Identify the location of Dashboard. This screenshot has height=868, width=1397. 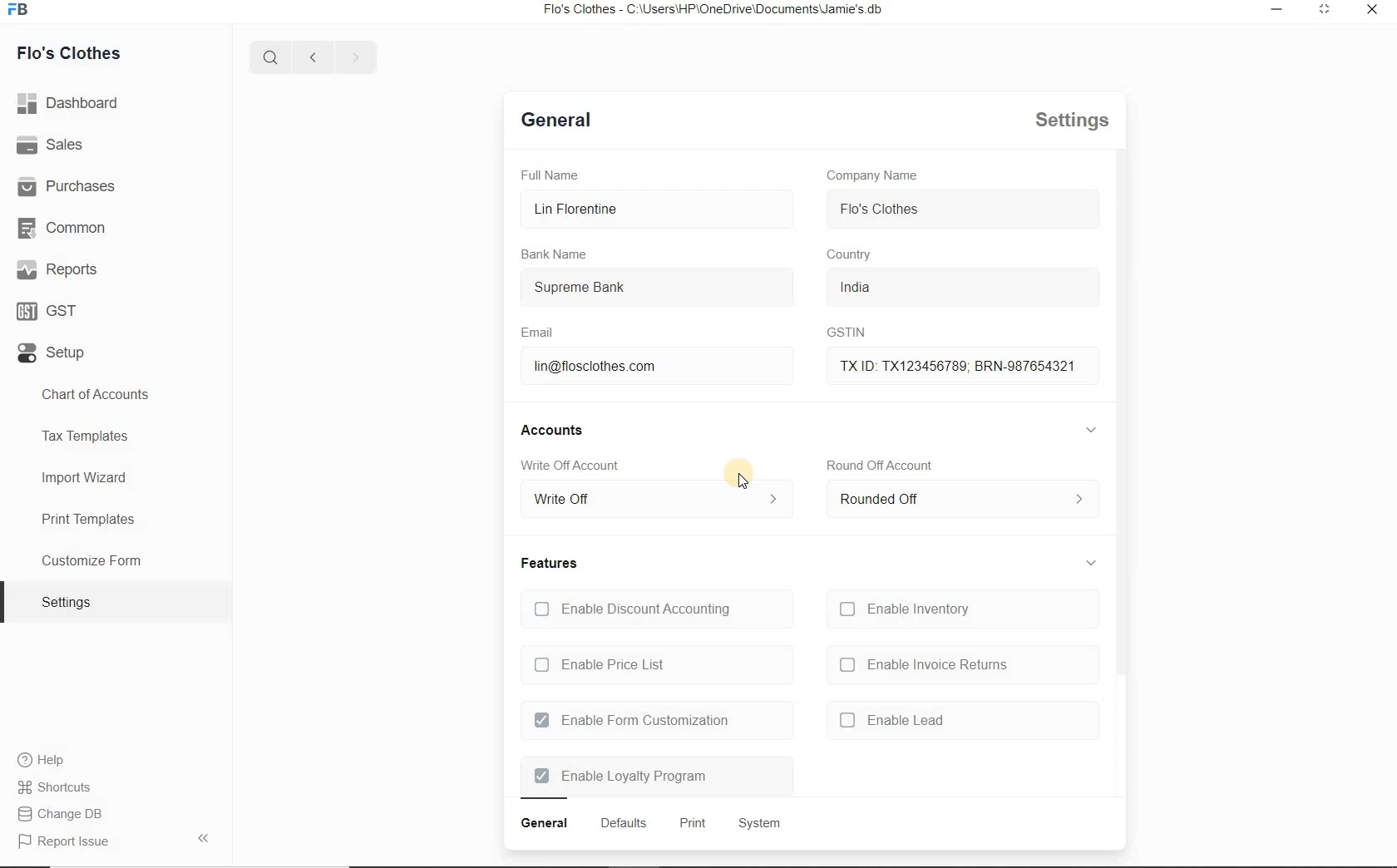
(69, 103).